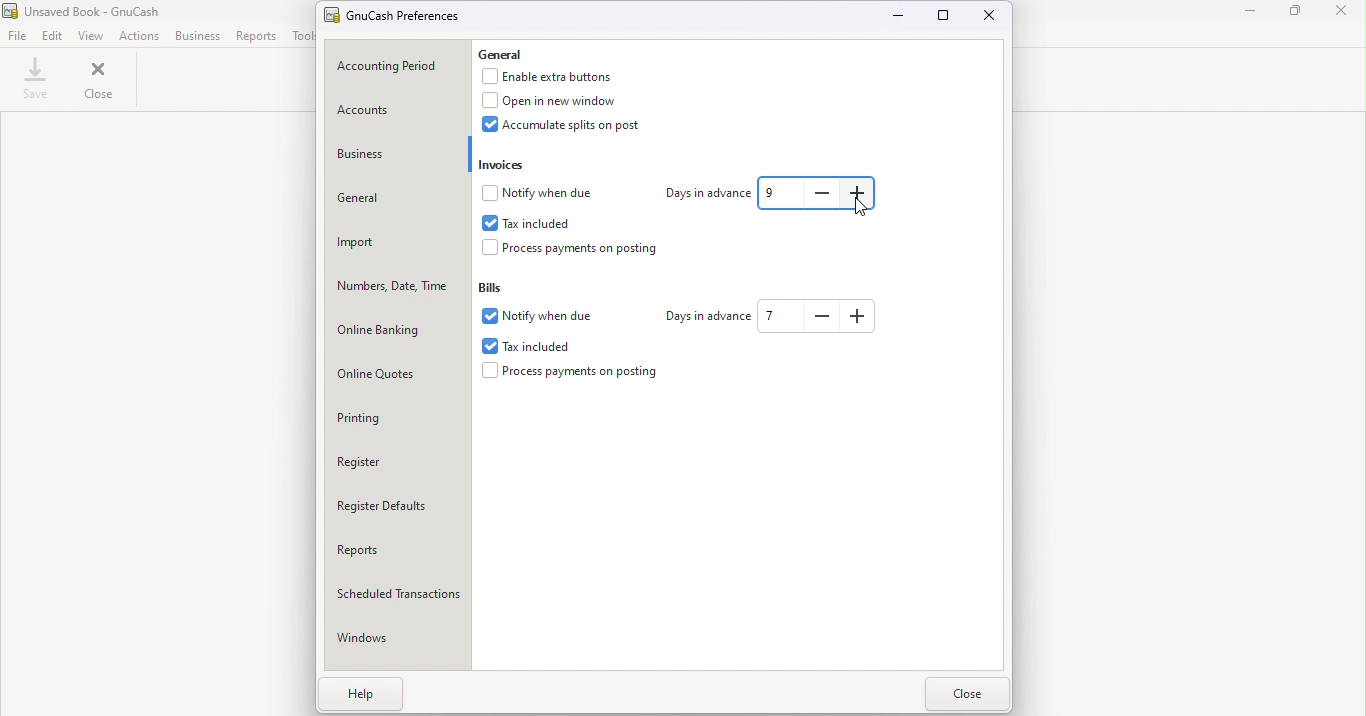 The width and height of the screenshot is (1366, 716). Describe the element at coordinates (862, 316) in the screenshot. I see `how many days in the future to warn about bills coming due` at that location.